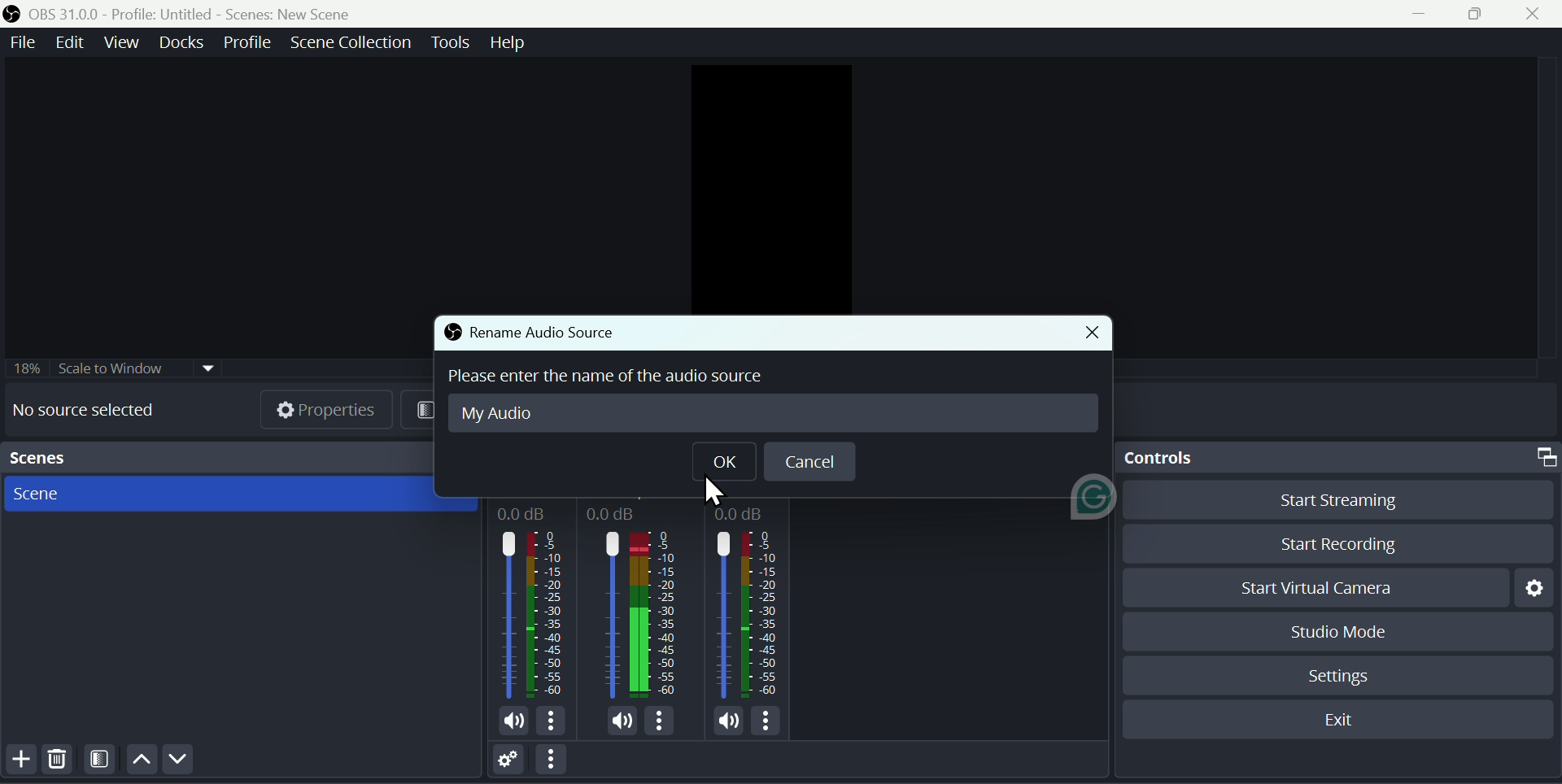 The image size is (1562, 784). What do you see at coordinates (1342, 630) in the screenshot?
I see `Studio mode` at bounding box center [1342, 630].